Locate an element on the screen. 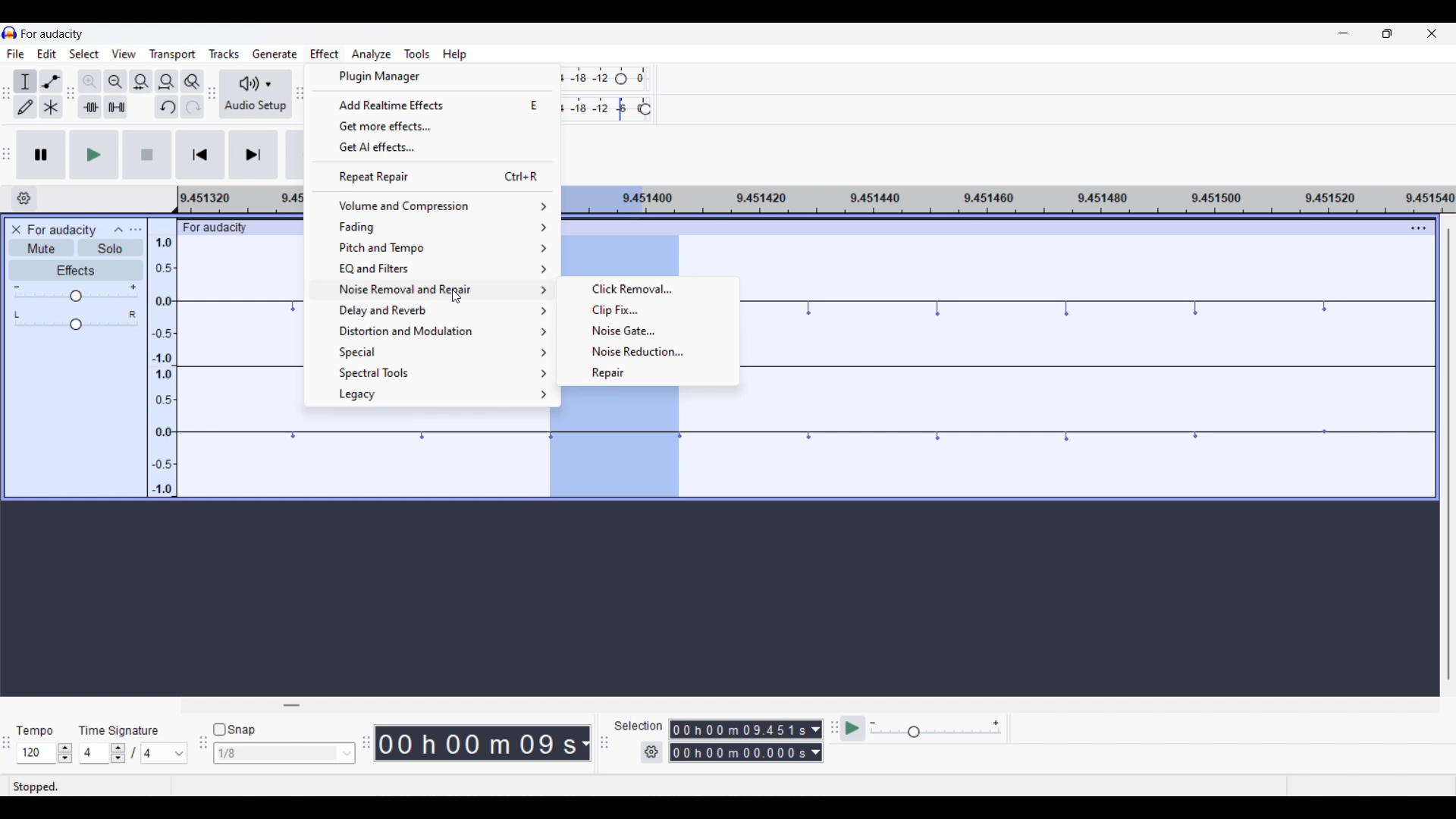  Current track is located at coordinates (1090, 366).